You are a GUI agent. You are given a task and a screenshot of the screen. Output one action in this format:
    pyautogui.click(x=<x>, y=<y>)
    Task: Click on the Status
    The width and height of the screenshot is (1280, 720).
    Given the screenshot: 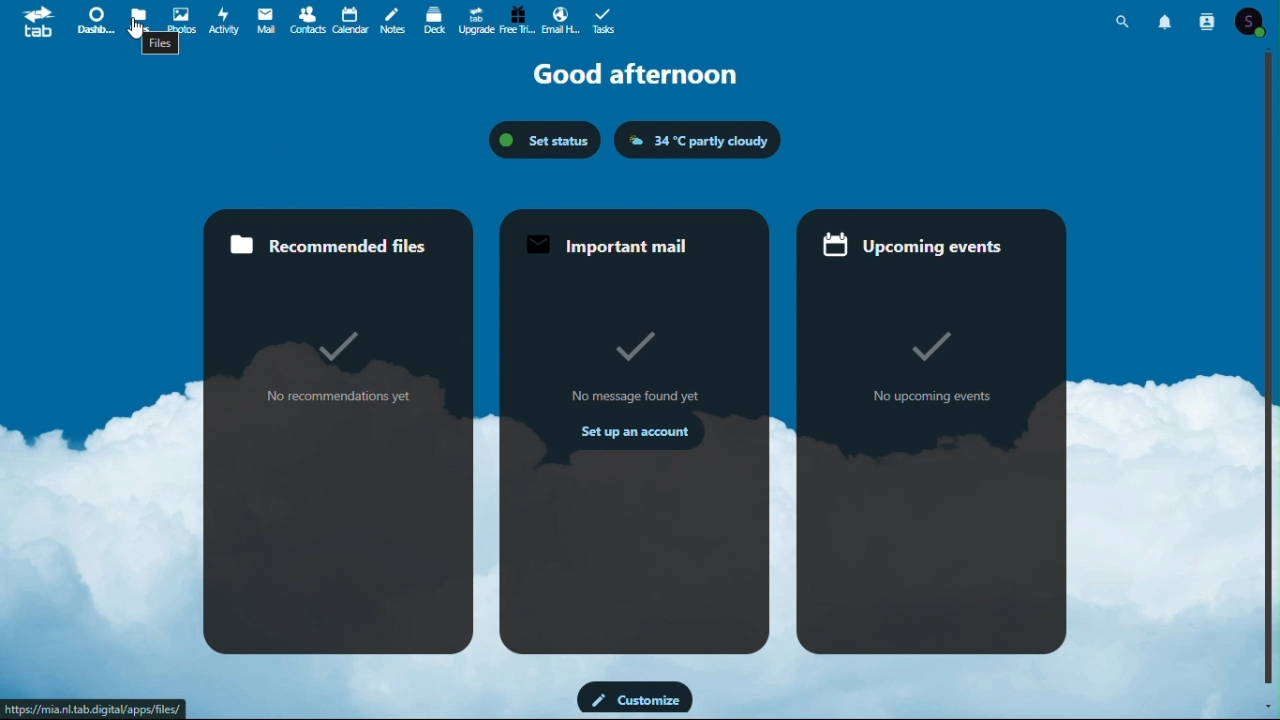 What is the action you would take?
    pyautogui.click(x=547, y=140)
    